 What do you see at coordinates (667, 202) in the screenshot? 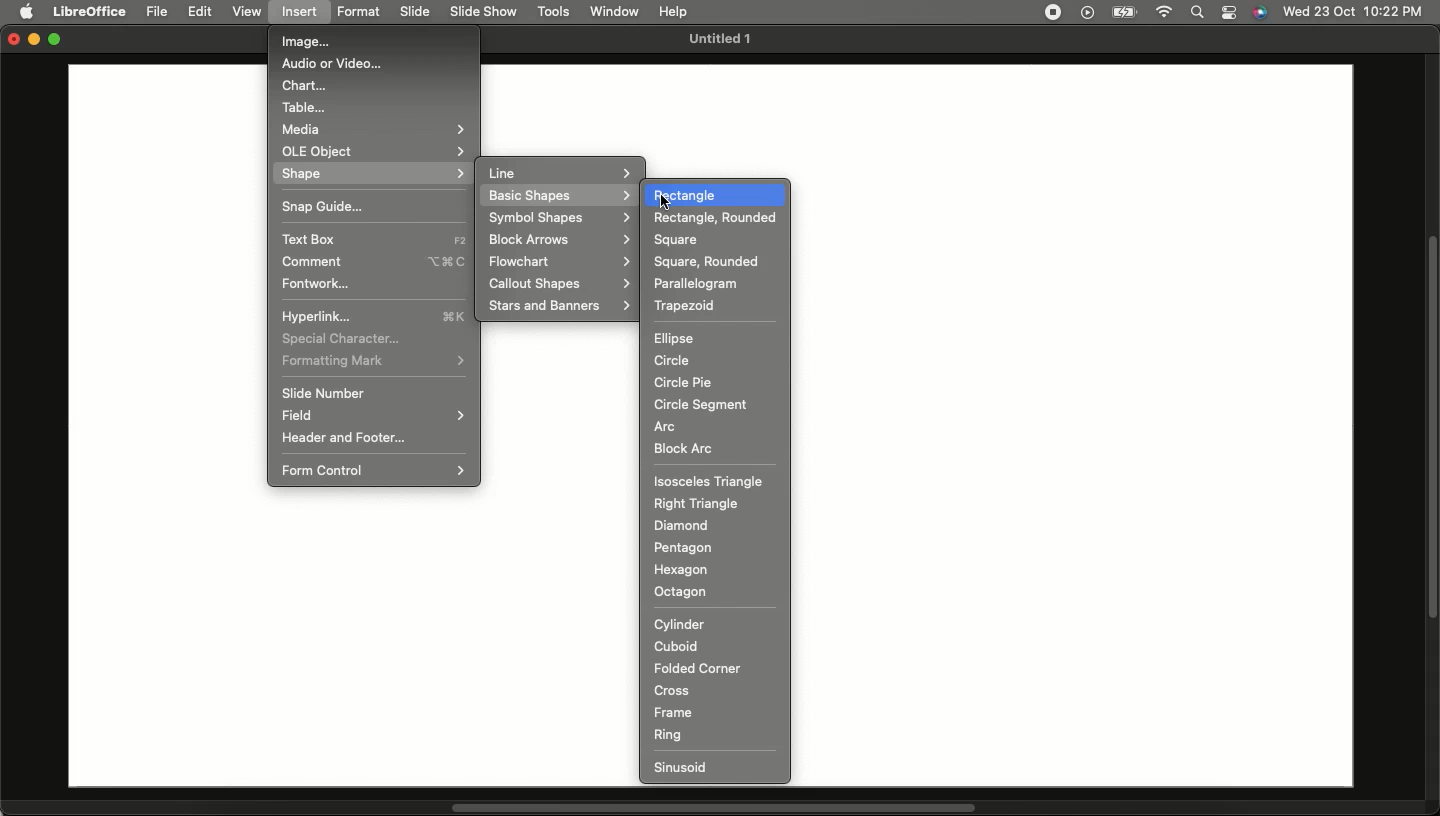
I see `cursor` at bounding box center [667, 202].